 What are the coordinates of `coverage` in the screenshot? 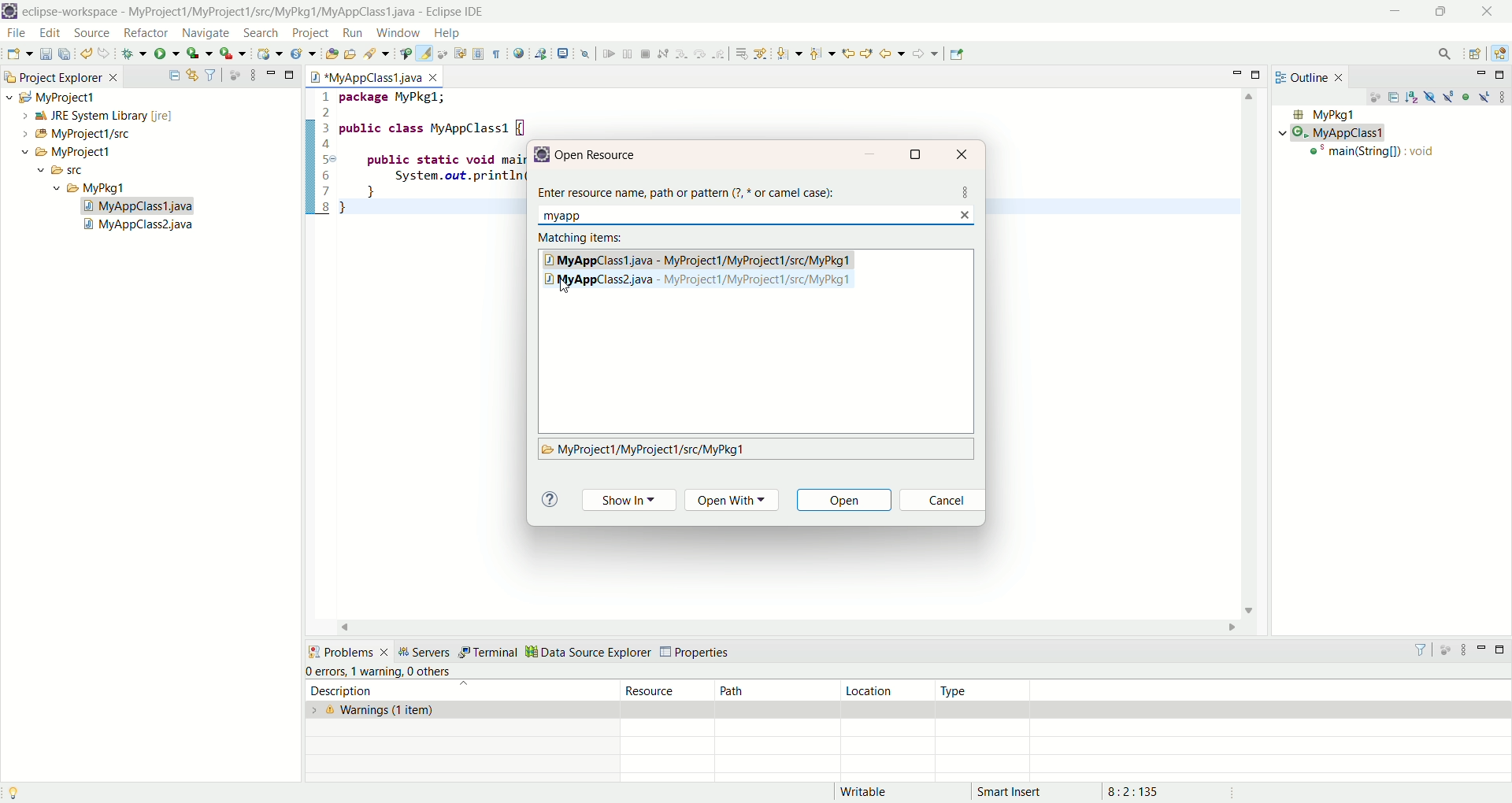 It's located at (200, 54).